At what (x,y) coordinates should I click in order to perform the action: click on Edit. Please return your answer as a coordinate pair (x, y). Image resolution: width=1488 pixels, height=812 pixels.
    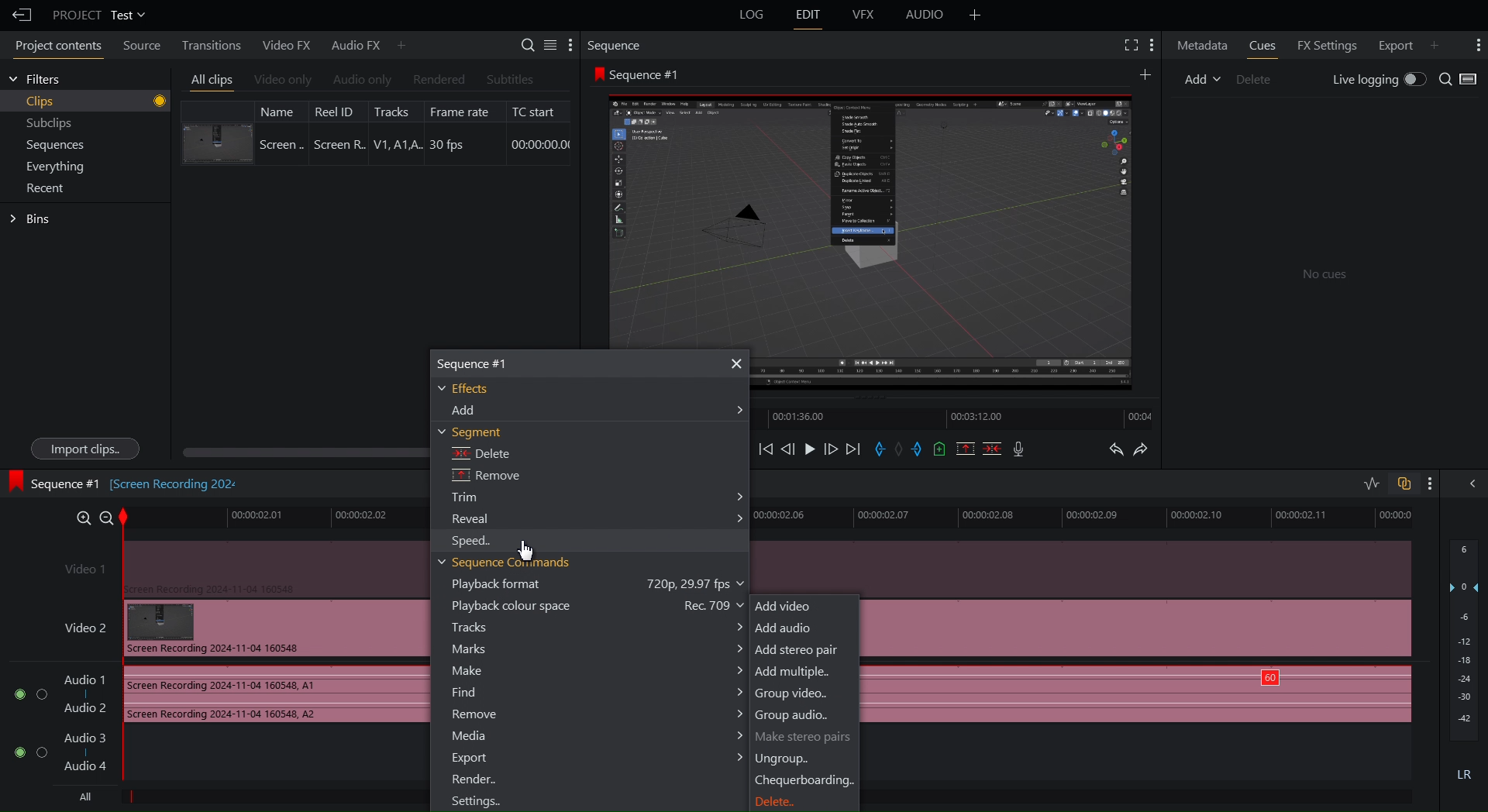
    Looking at the image, I should click on (808, 15).